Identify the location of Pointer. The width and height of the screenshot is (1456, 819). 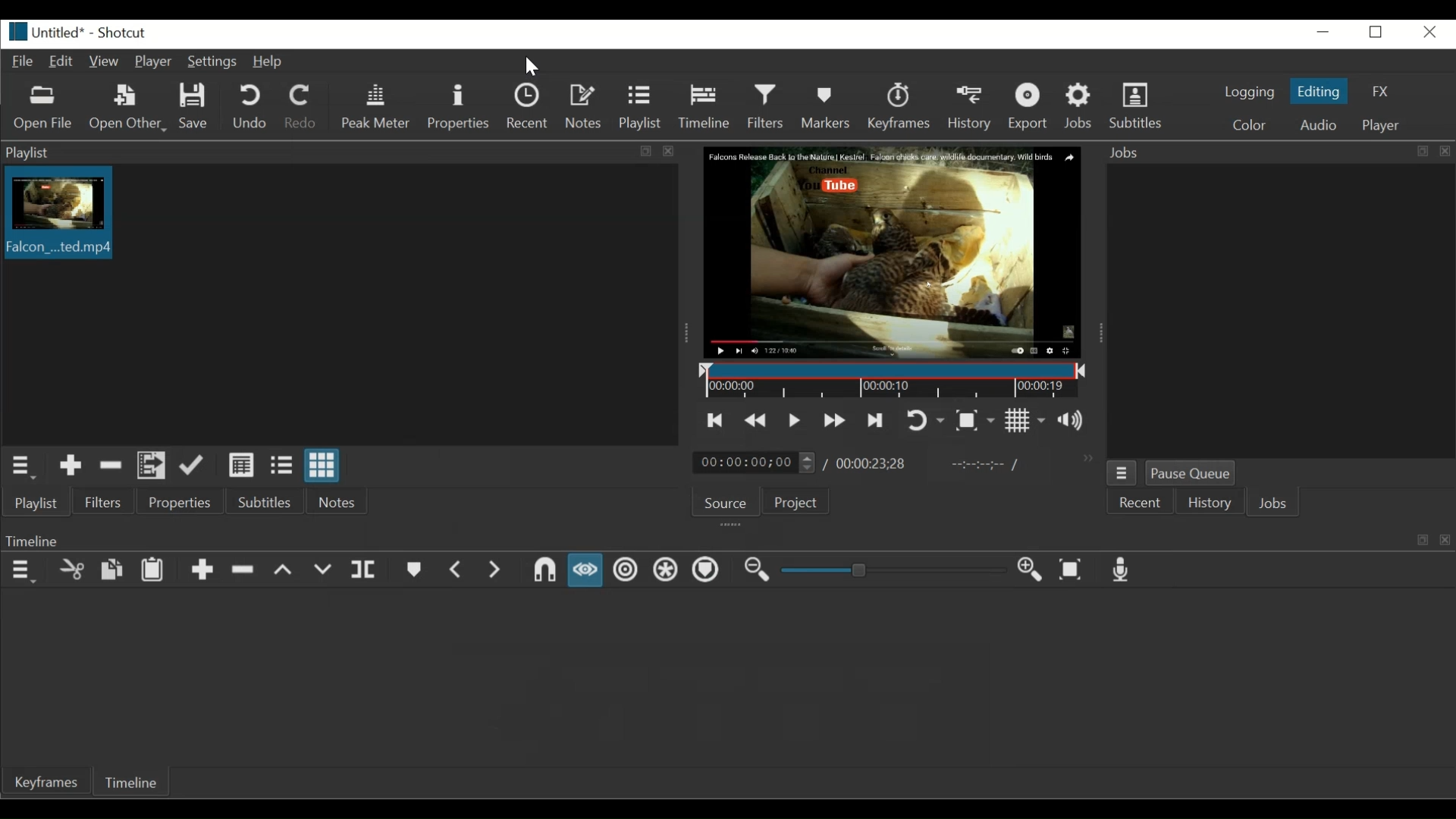
(534, 65).